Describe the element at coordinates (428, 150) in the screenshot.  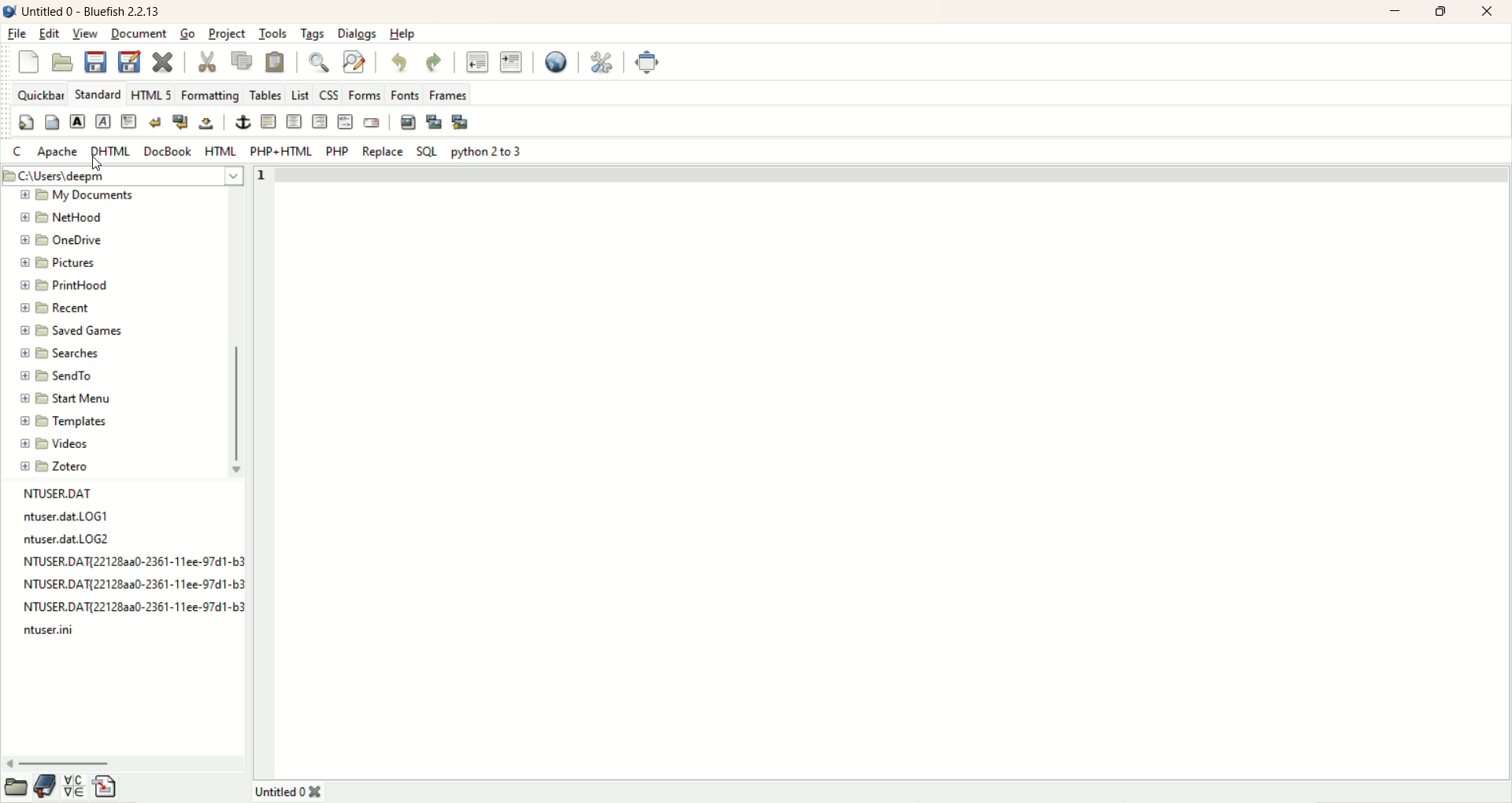
I see `SQL` at that location.